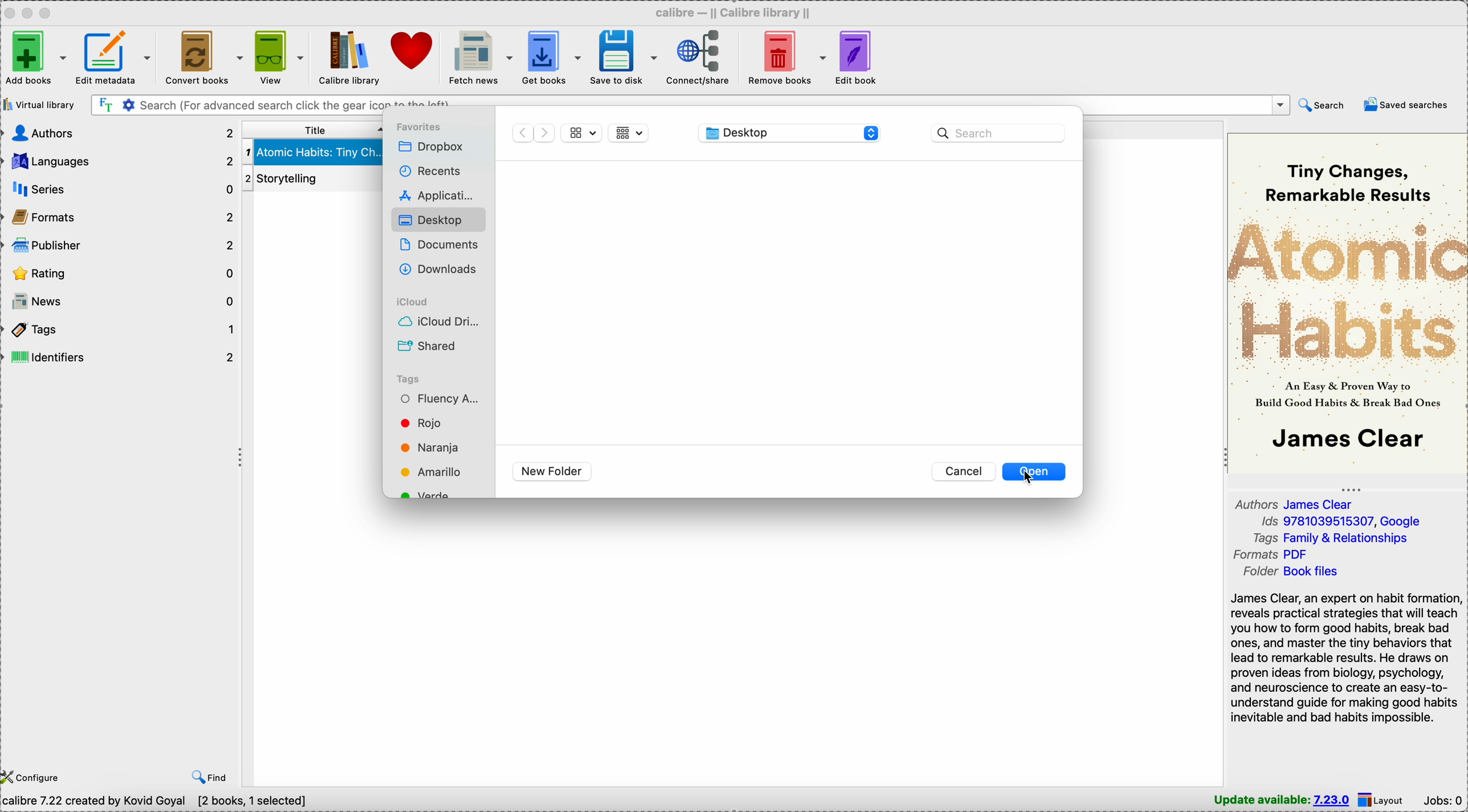 This screenshot has width=1468, height=812. Describe the element at coordinates (418, 126) in the screenshot. I see `favorites` at that location.